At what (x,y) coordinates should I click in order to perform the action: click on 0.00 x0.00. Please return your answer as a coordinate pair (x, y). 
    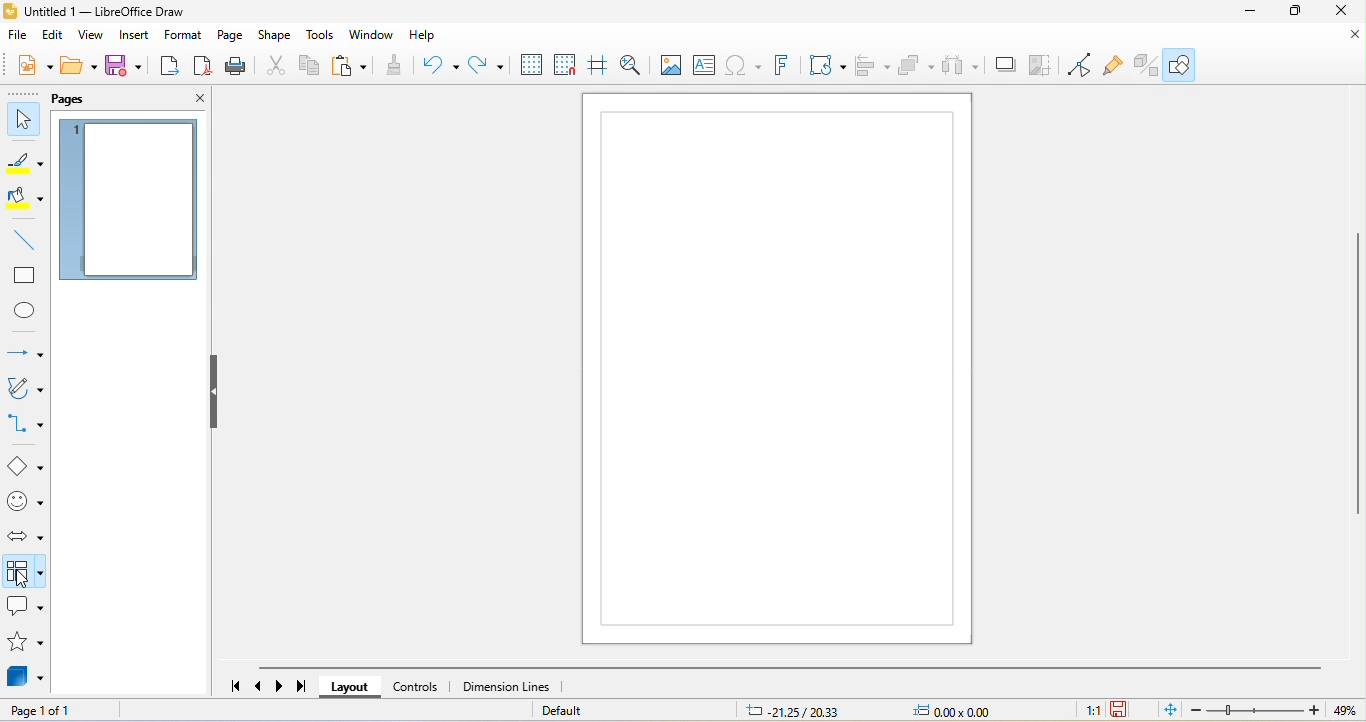
    Looking at the image, I should click on (954, 711).